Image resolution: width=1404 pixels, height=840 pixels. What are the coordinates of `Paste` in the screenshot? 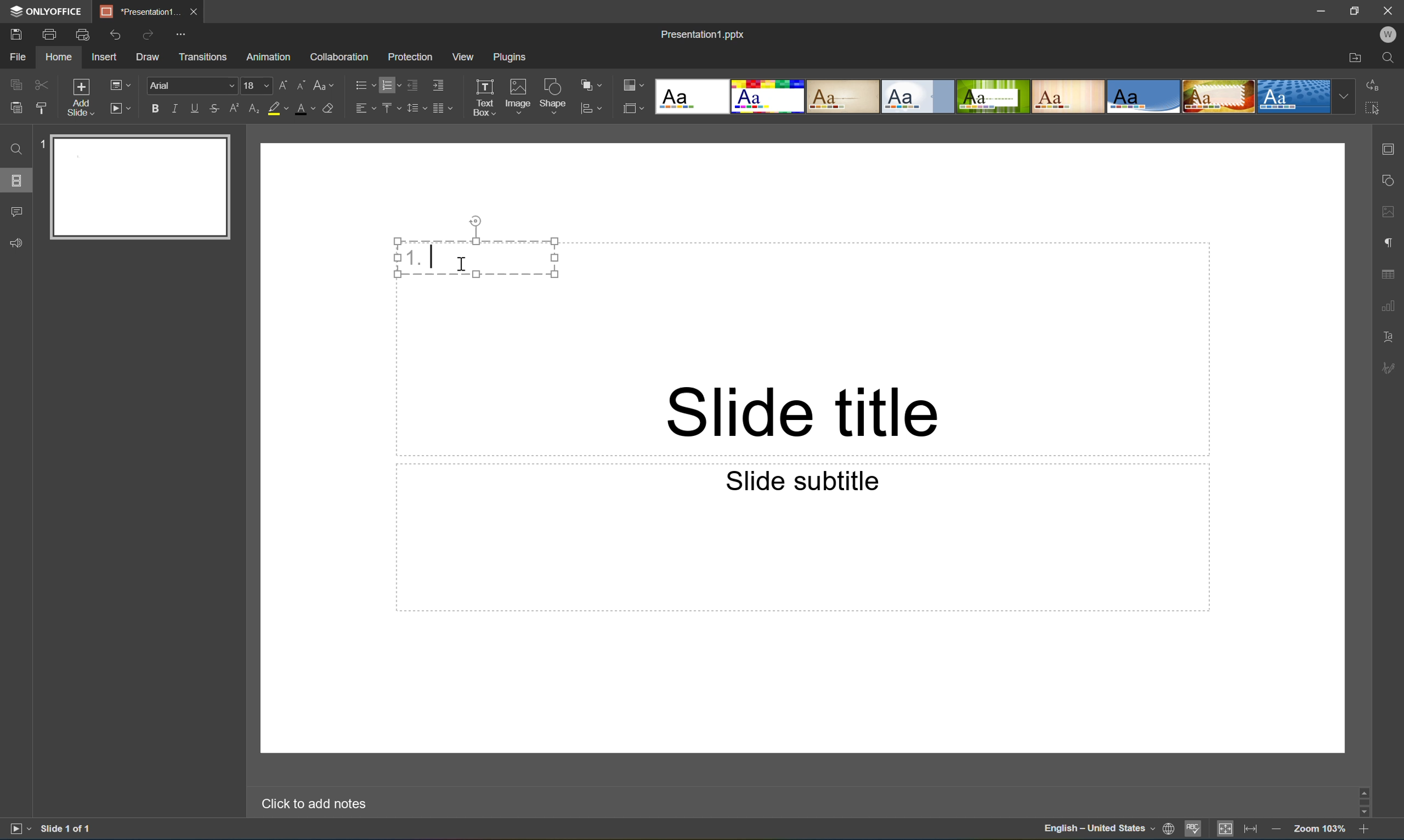 It's located at (145, 187).